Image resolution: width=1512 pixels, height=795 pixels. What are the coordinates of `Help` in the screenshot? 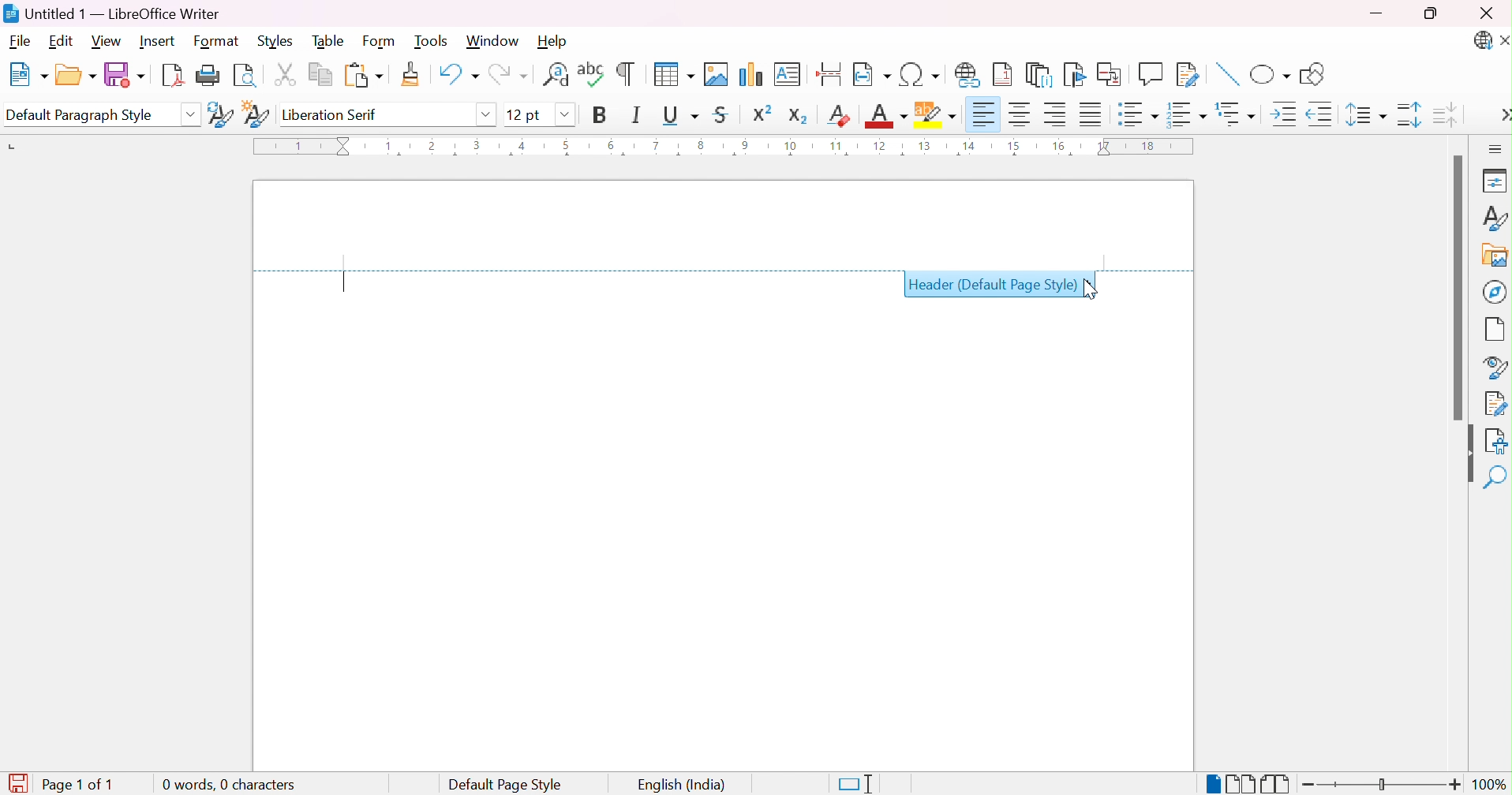 It's located at (556, 41).